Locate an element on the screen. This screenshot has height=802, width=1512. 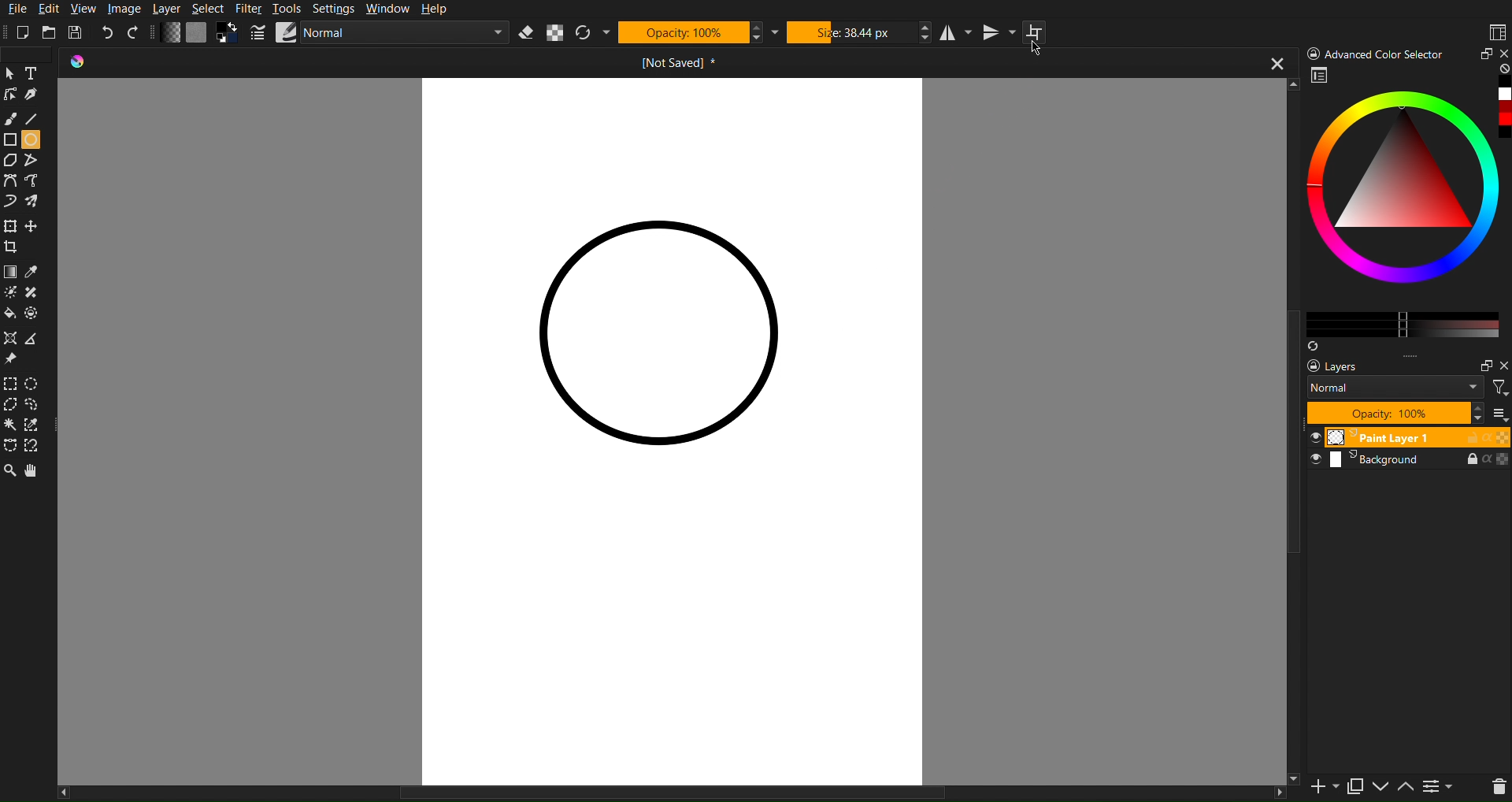
Brush Tool is located at coordinates (10, 117).